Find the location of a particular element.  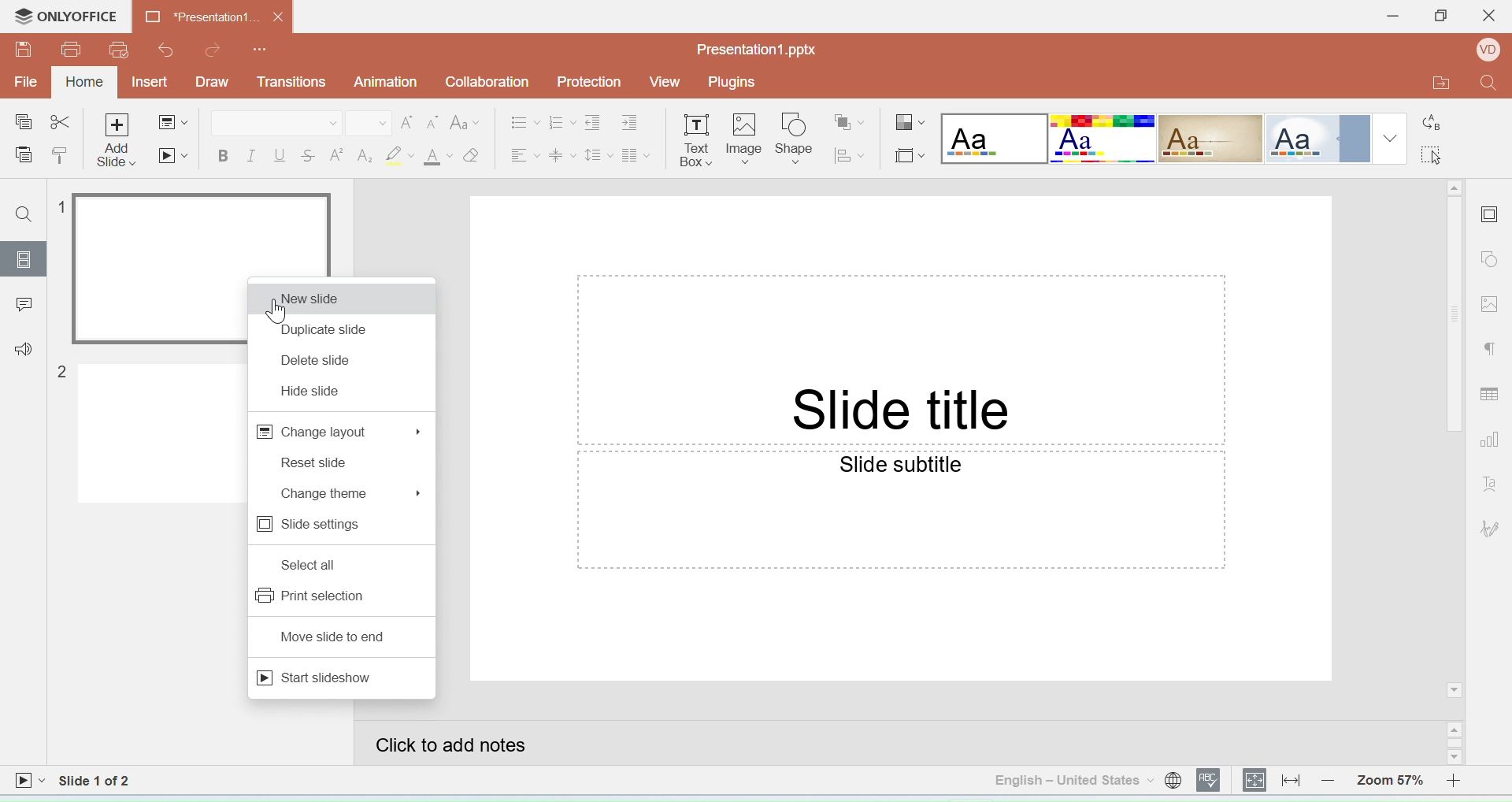

Zoom is located at coordinates (1390, 778).